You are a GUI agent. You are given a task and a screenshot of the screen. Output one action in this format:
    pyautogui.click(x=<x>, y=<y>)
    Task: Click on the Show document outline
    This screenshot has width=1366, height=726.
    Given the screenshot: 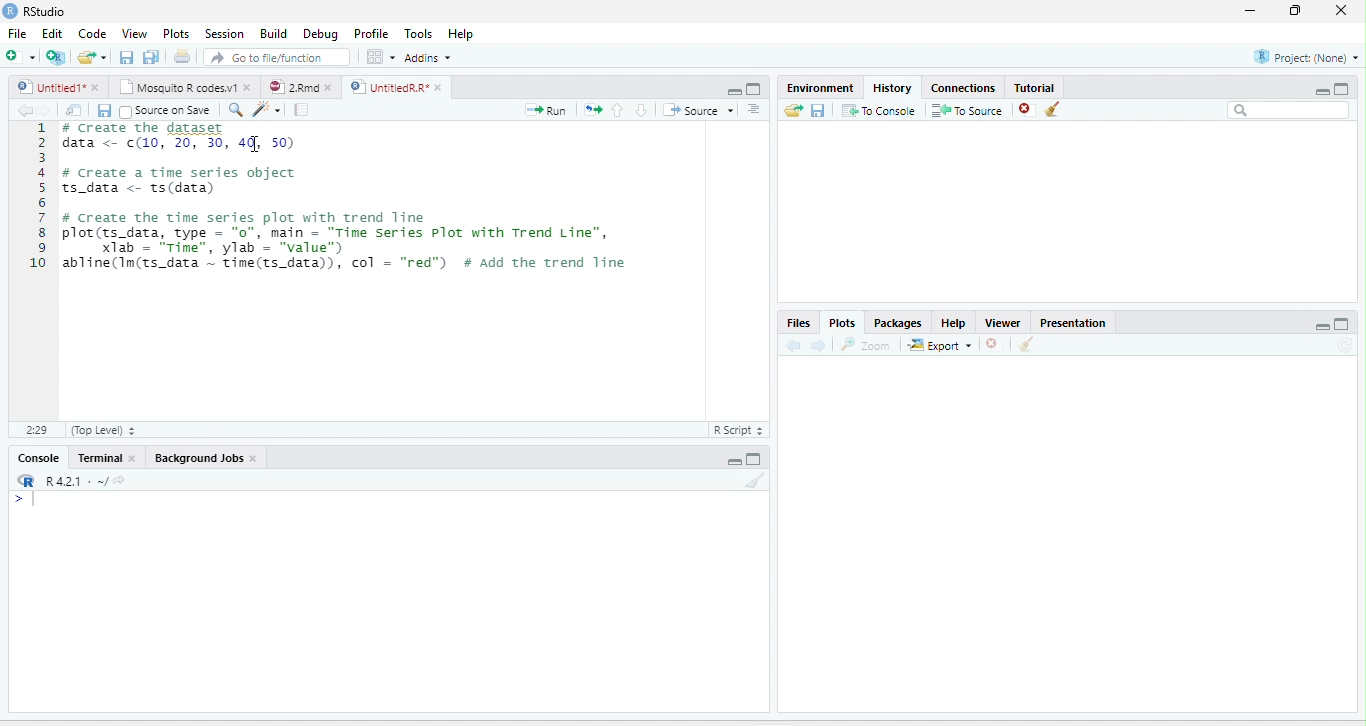 What is the action you would take?
    pyautogui.click(x=754, y=109)
    